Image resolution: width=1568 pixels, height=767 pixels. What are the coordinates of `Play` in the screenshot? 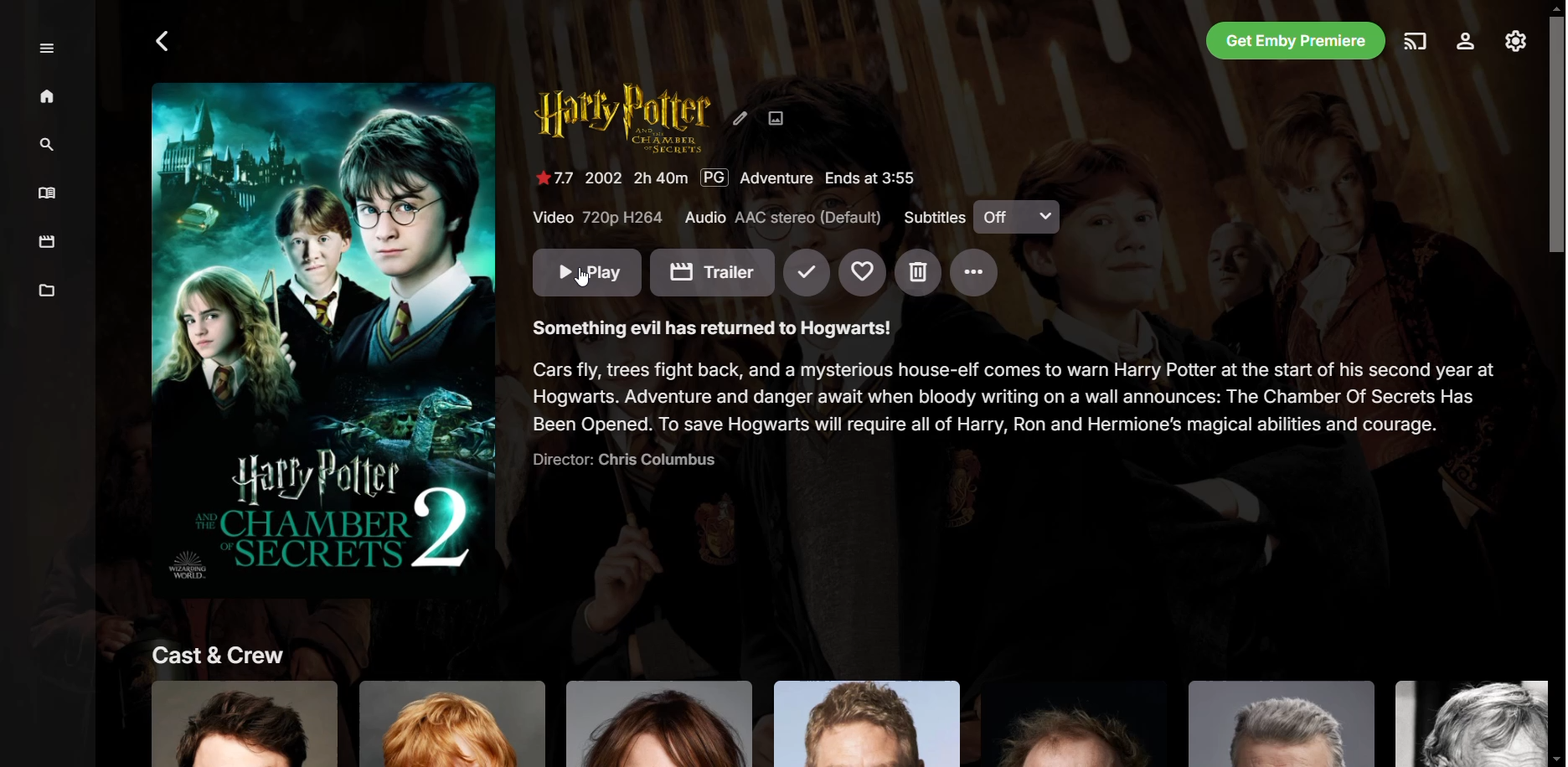 It's located at (588, 272).